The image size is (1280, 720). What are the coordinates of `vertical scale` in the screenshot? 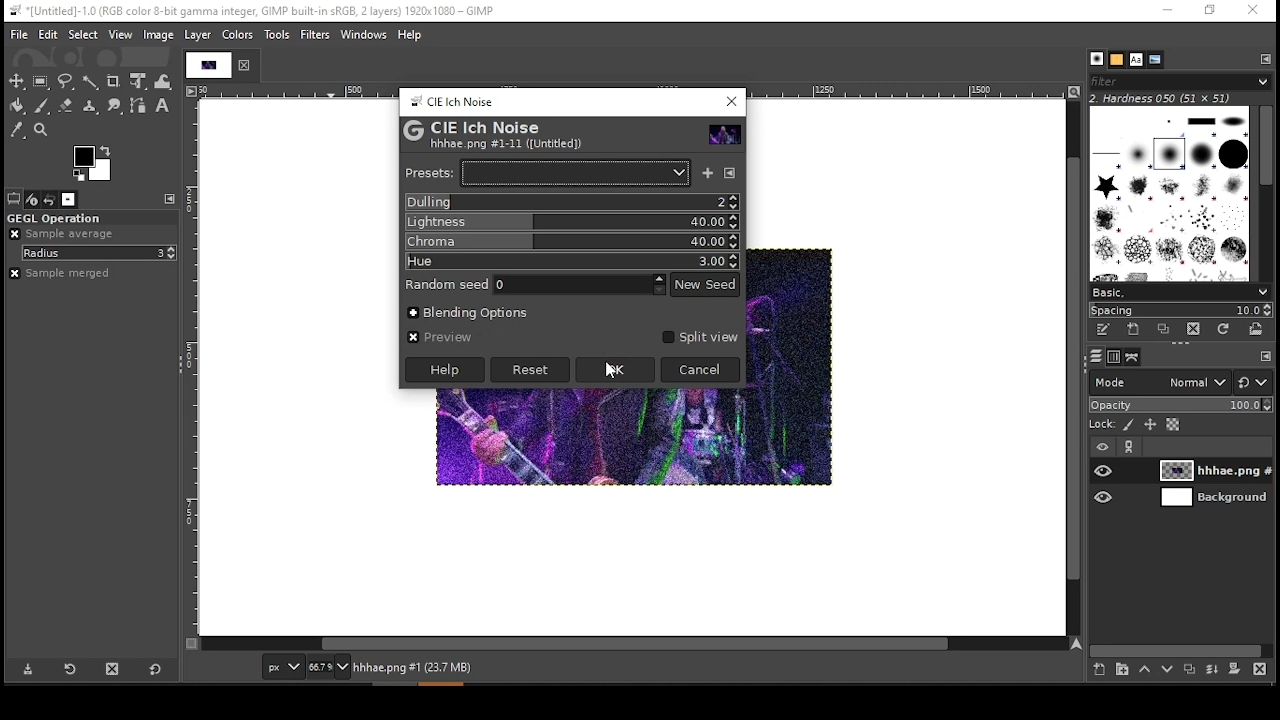 It's located at (191, 370).